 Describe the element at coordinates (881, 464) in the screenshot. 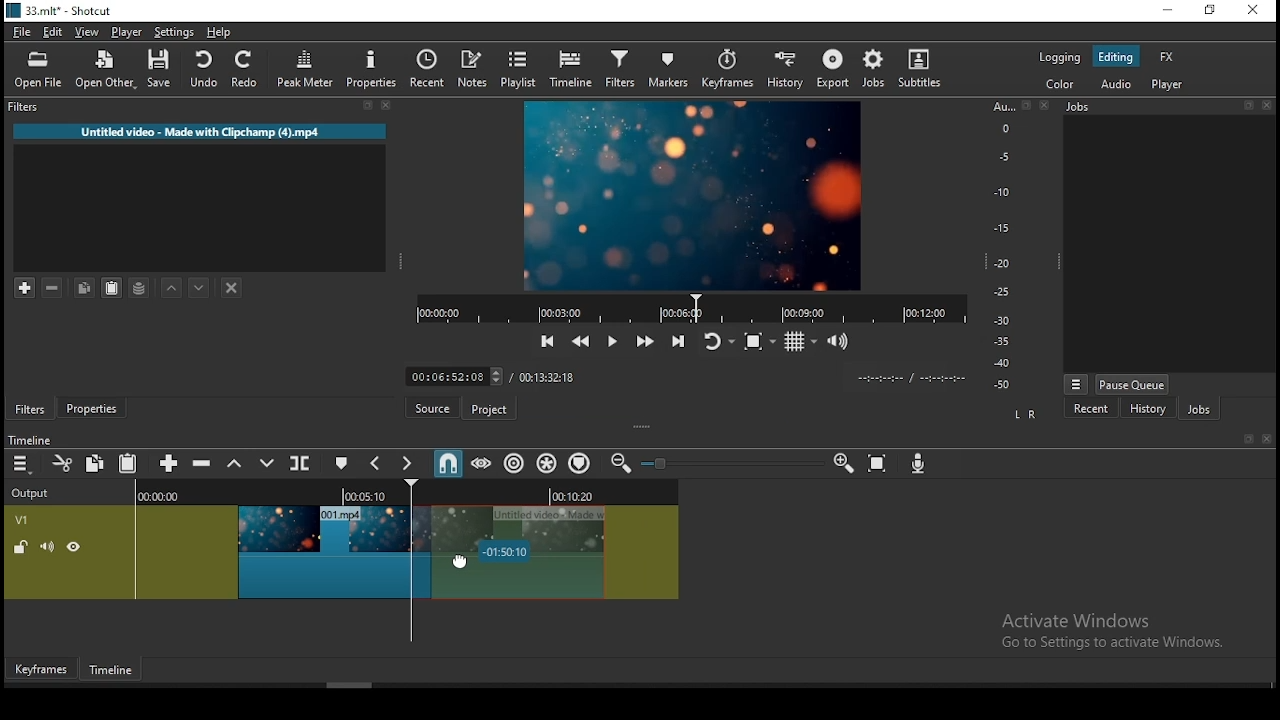

I see `zoom timeline to fit` at that location.